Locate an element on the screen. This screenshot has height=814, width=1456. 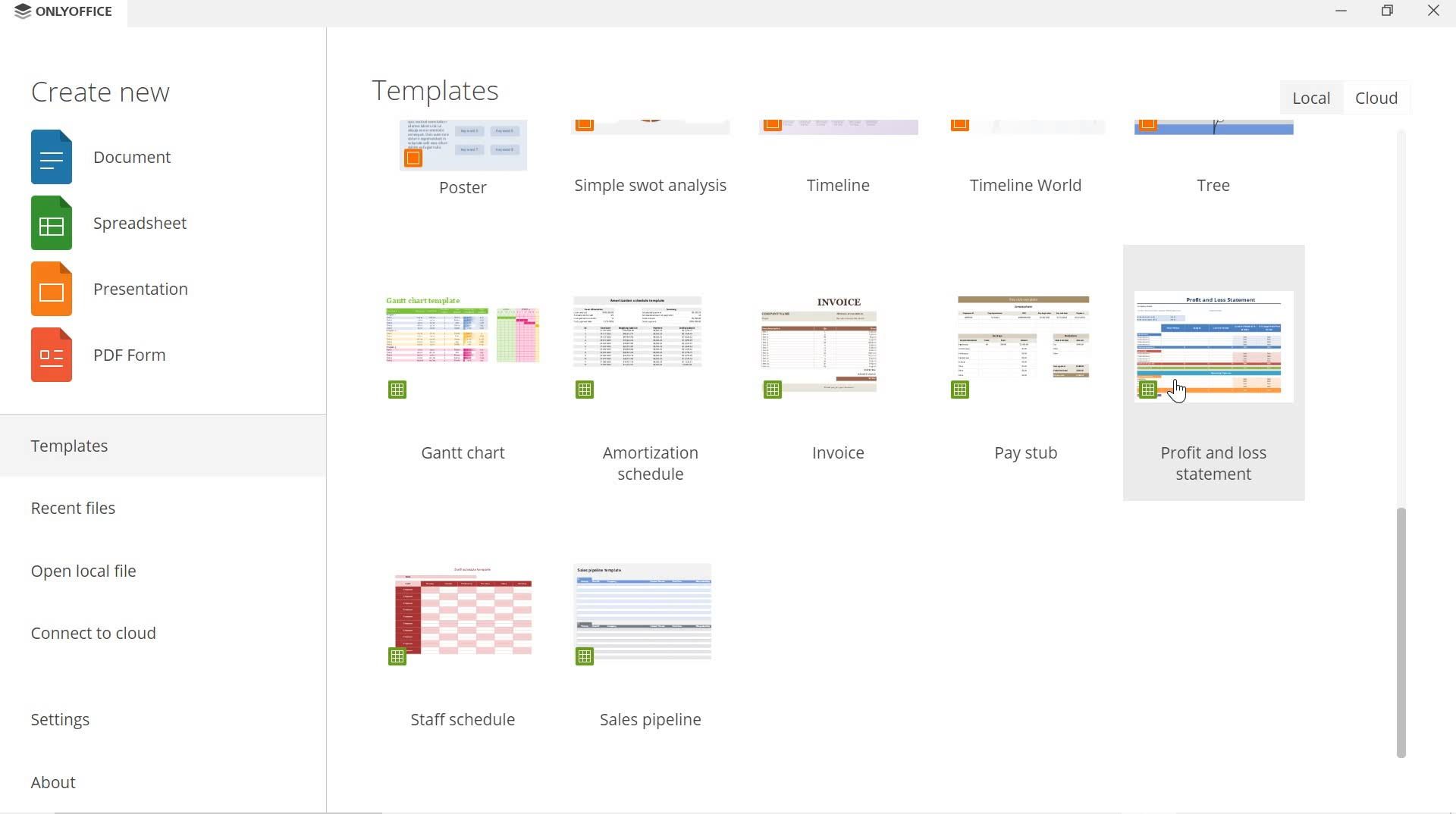
Tree is located at coordinates (1219, 184).